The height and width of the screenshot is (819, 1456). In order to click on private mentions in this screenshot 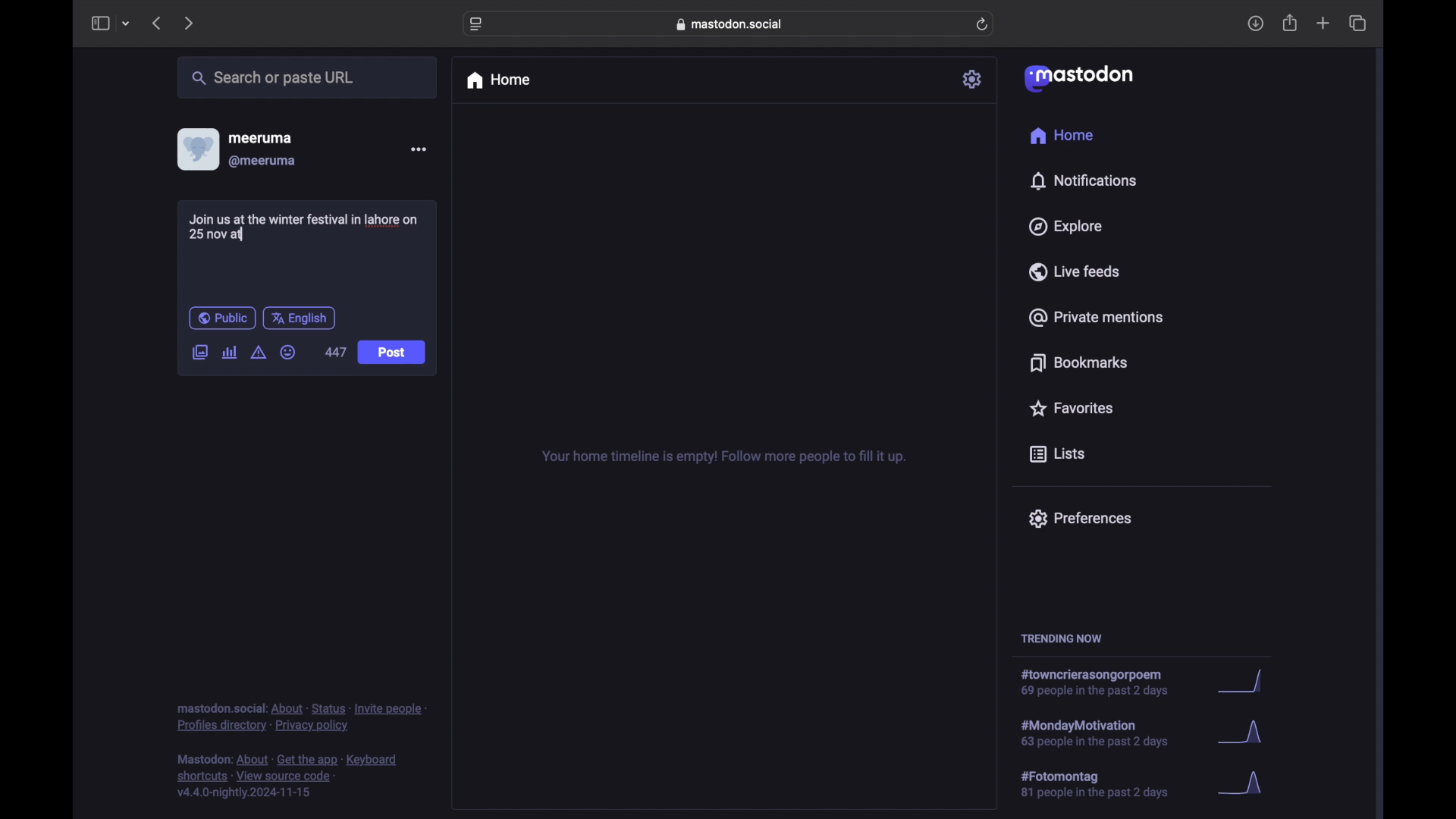, I will do `click(1097, 317)`.